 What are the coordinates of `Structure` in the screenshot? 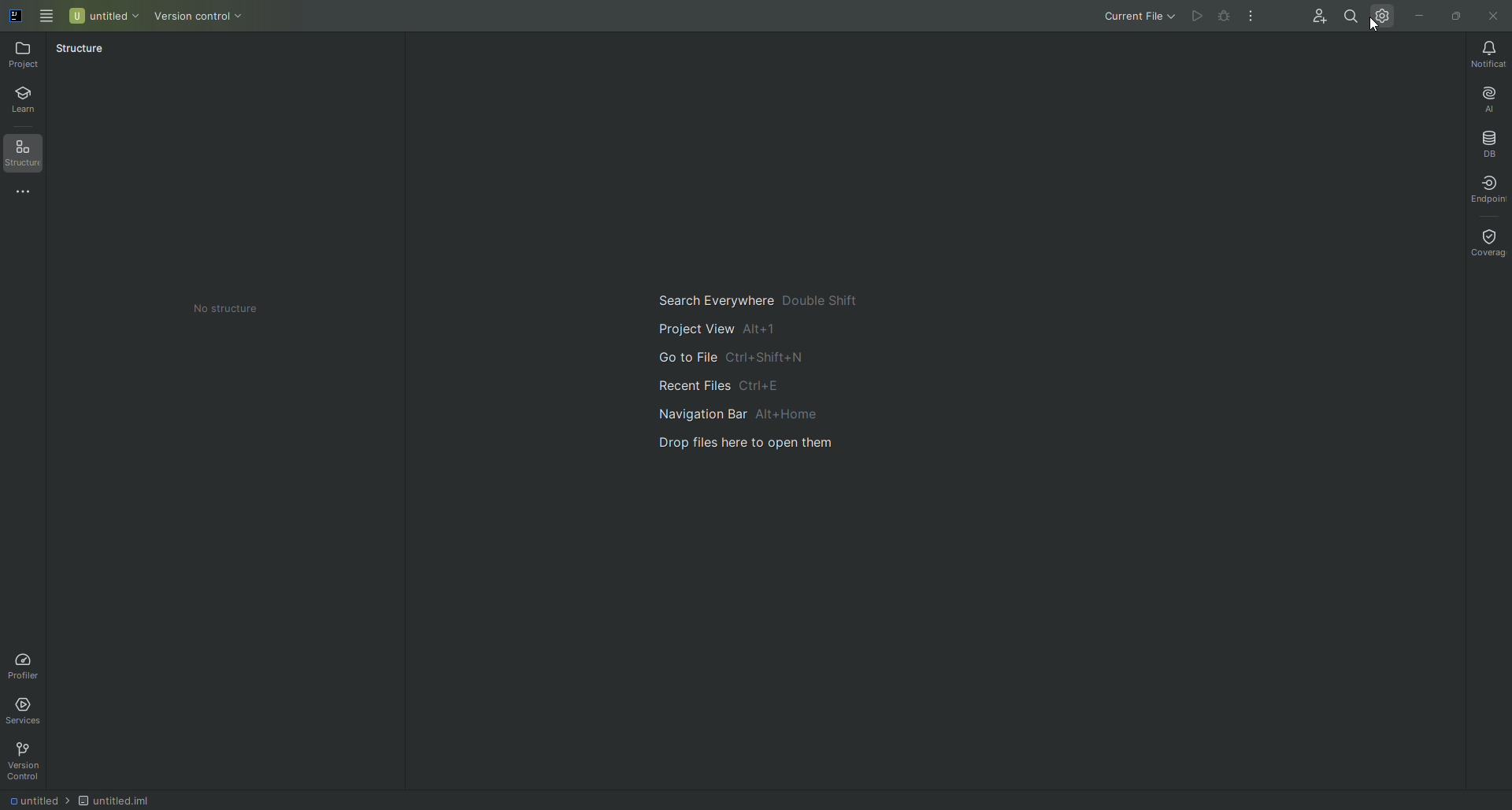 It's located at (80, 52).